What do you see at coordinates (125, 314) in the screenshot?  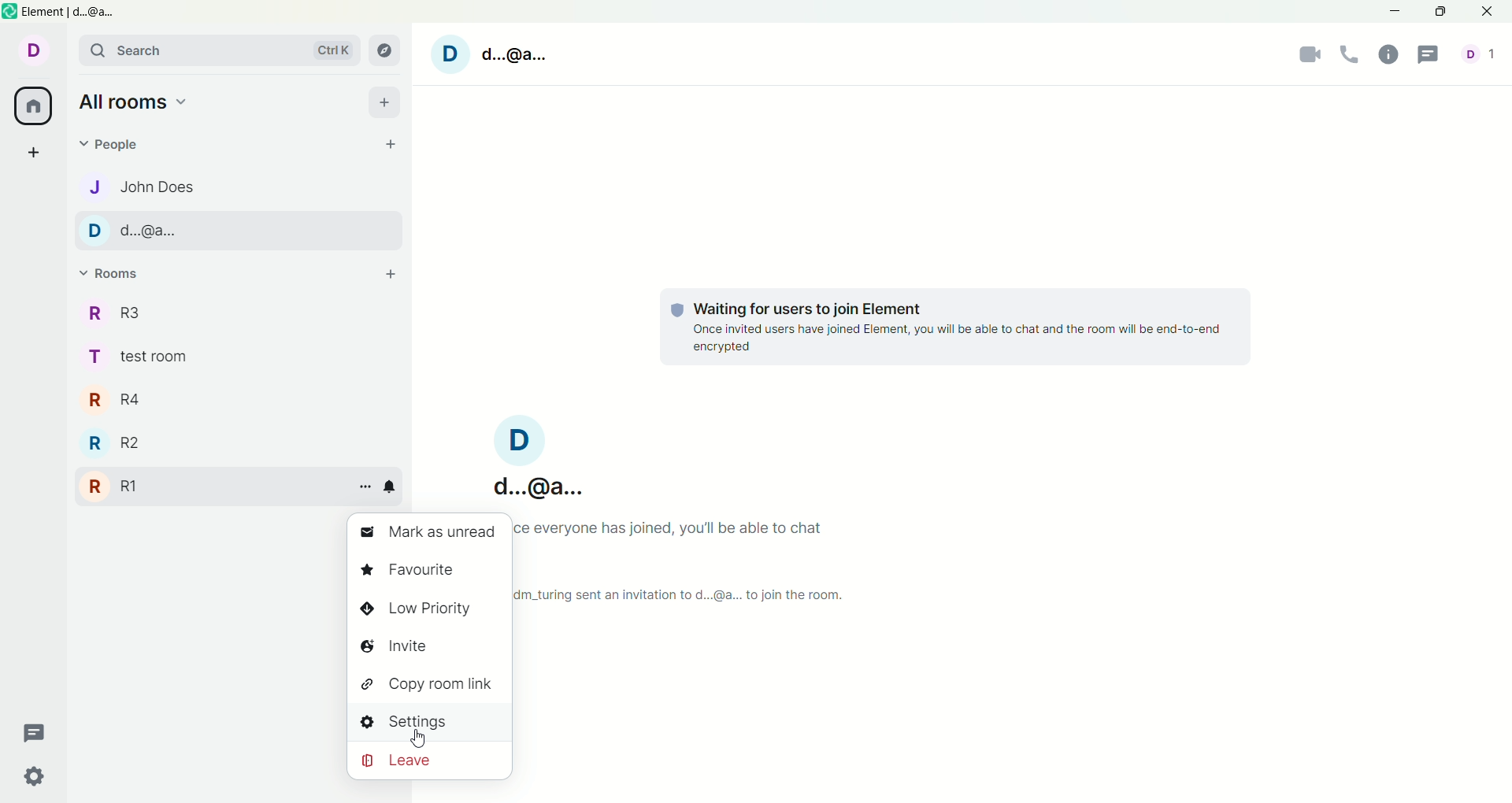 I see `r  r3` at bounding box center [125, 314].